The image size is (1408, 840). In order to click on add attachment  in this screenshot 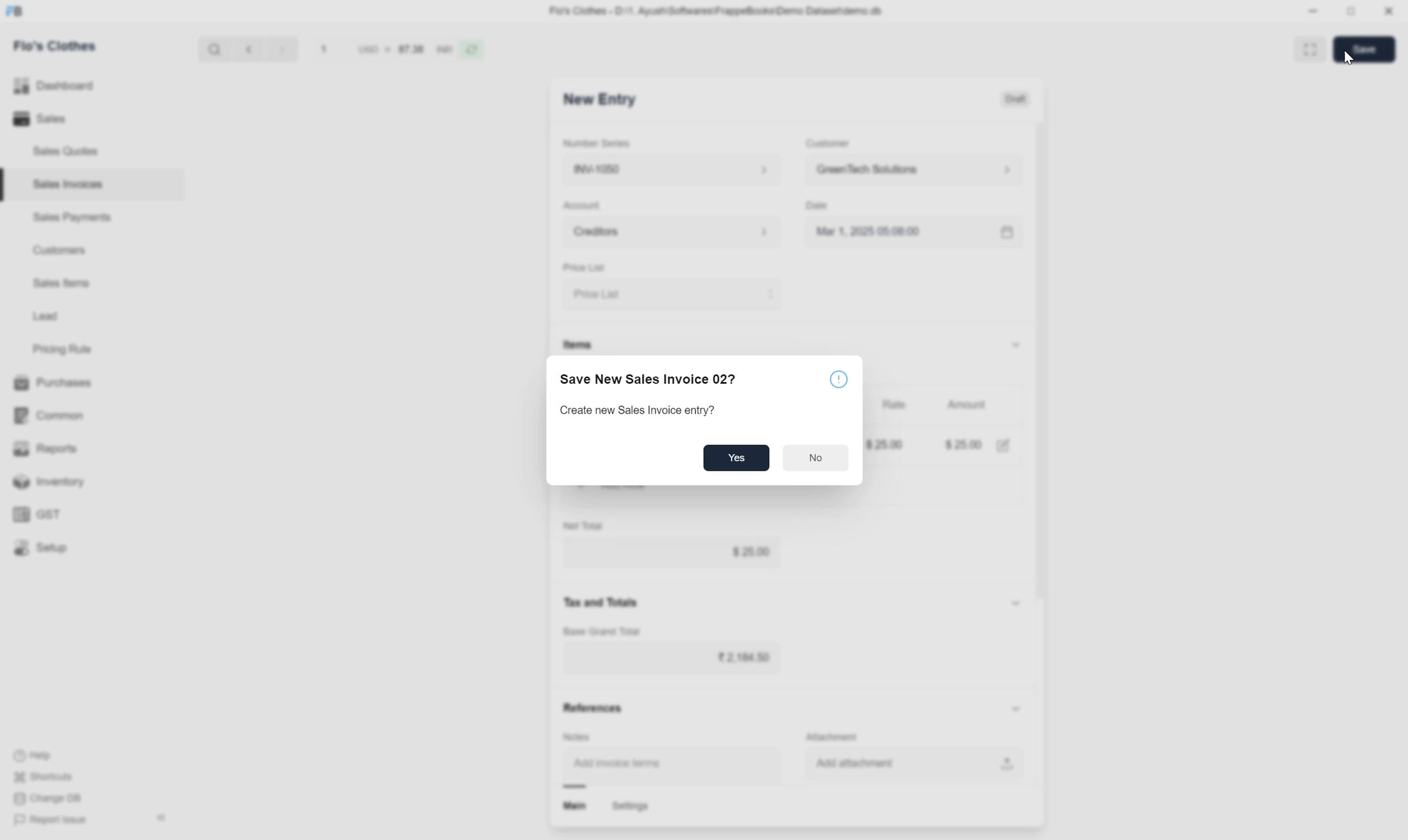, I will do `click(917, 765)`.